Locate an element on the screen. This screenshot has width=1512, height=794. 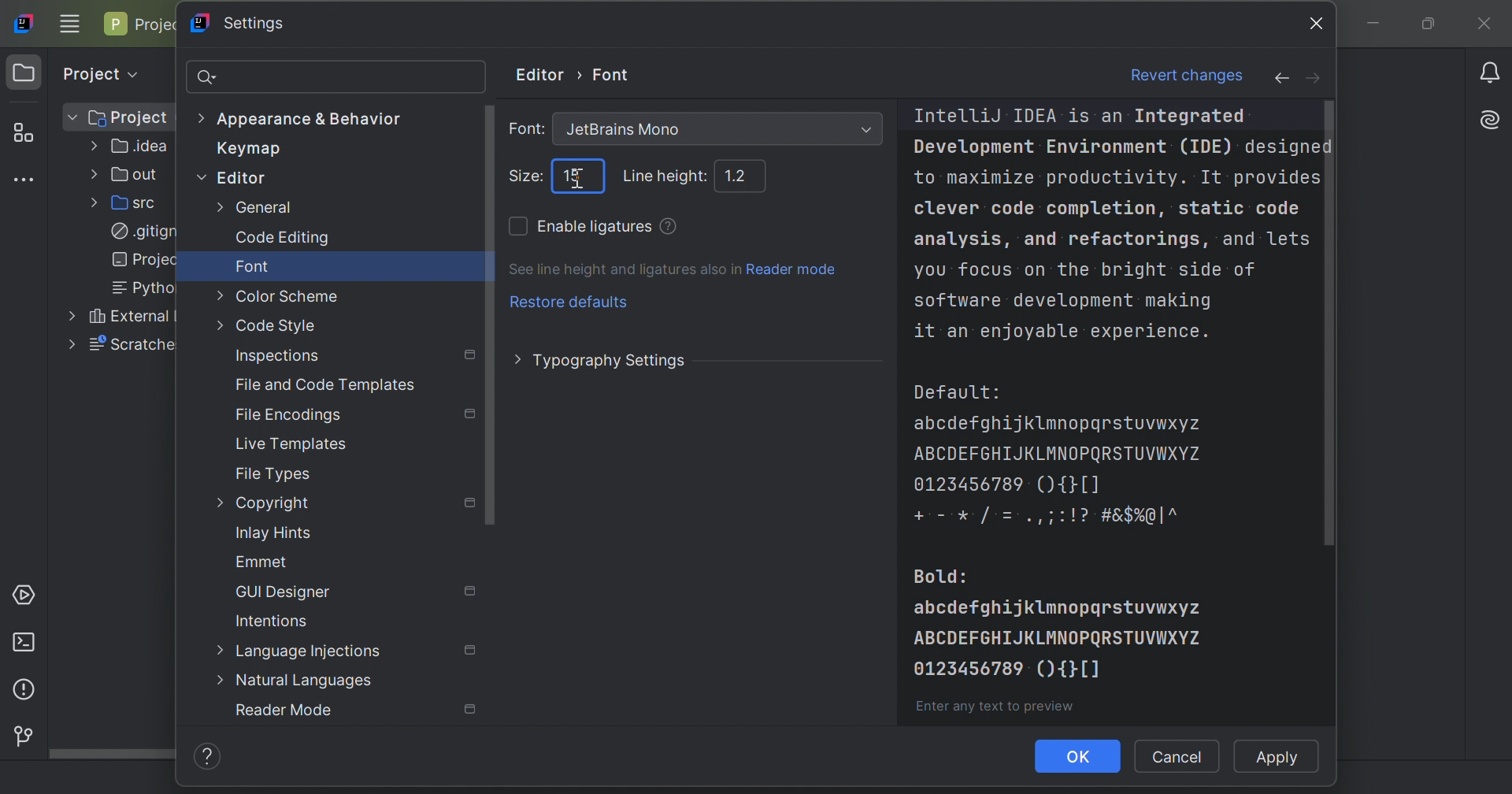
.gitign is located at coordinates (145, 232).